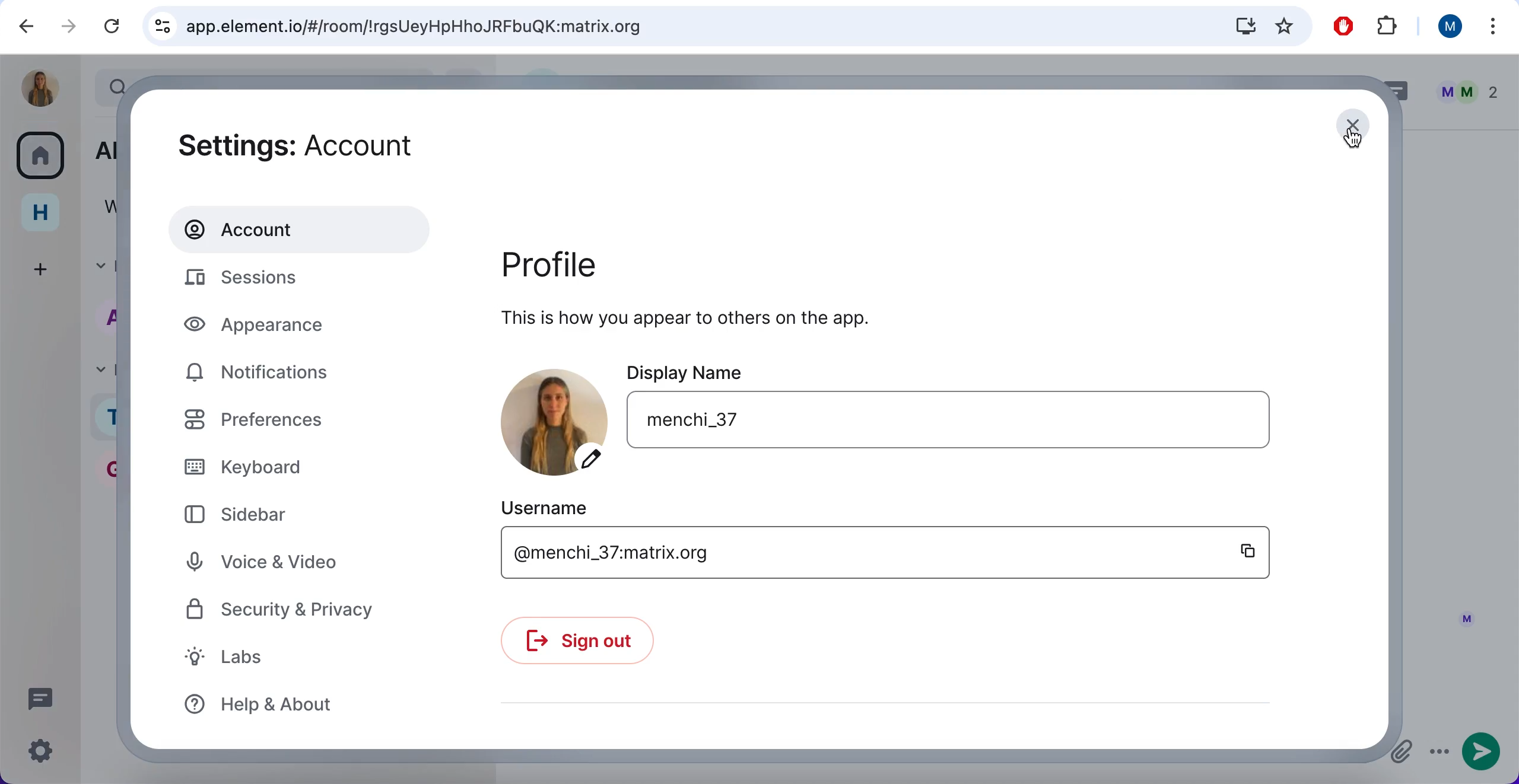 The image size is (1519, 784). What do you see at coordinates (281, 280) in the screenshot?
I see `sessions` at bounding box center [281, 280].